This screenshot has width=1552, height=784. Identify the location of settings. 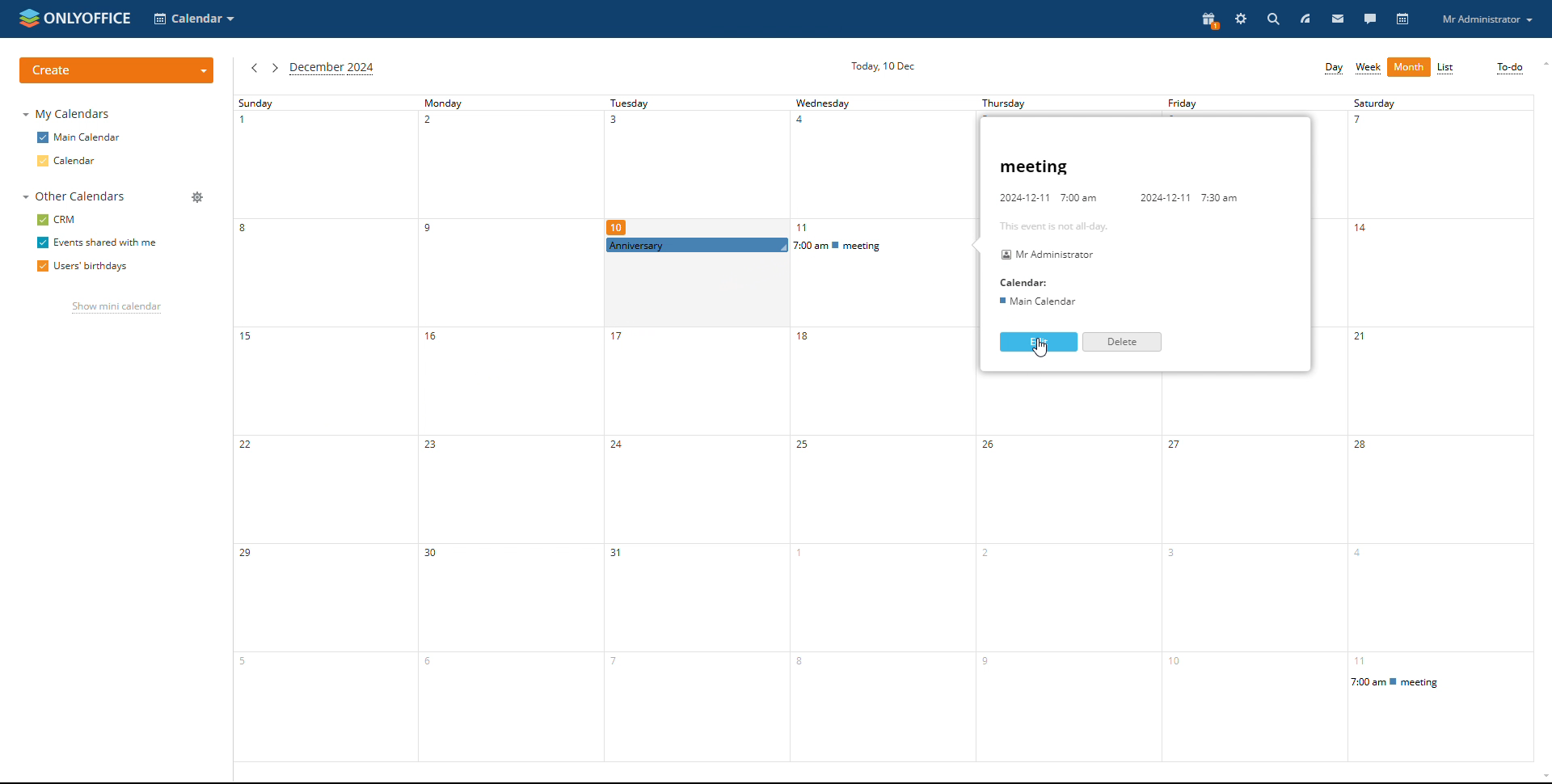
(1240, 19).